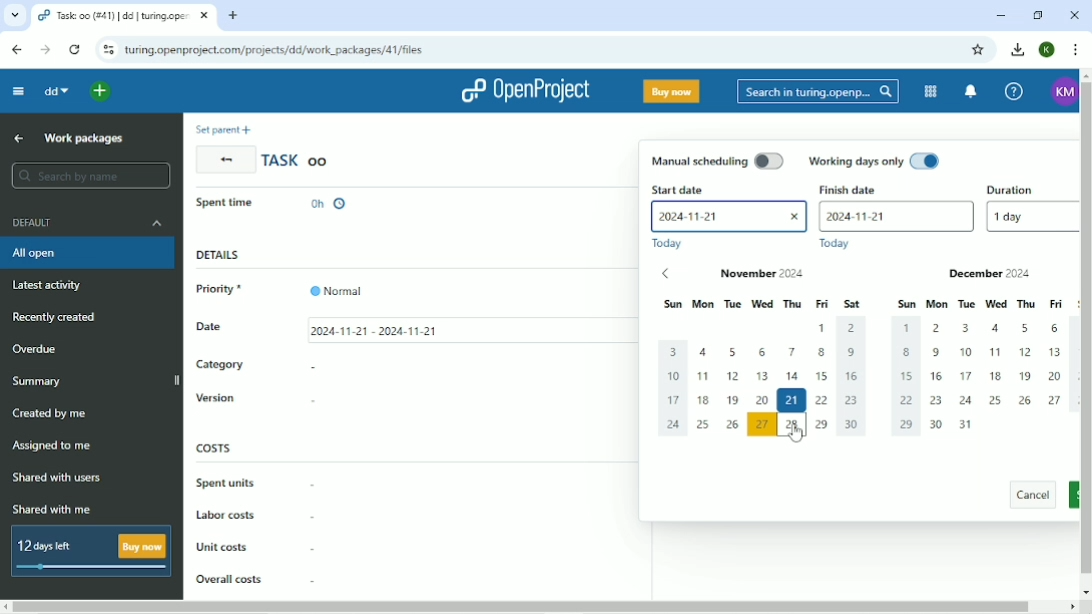 Image resolution: width=1092 pixels, height=614 pixels. Describe the element at coordinates (659, 275) in the screenshot. I see `previous dates` at that location.